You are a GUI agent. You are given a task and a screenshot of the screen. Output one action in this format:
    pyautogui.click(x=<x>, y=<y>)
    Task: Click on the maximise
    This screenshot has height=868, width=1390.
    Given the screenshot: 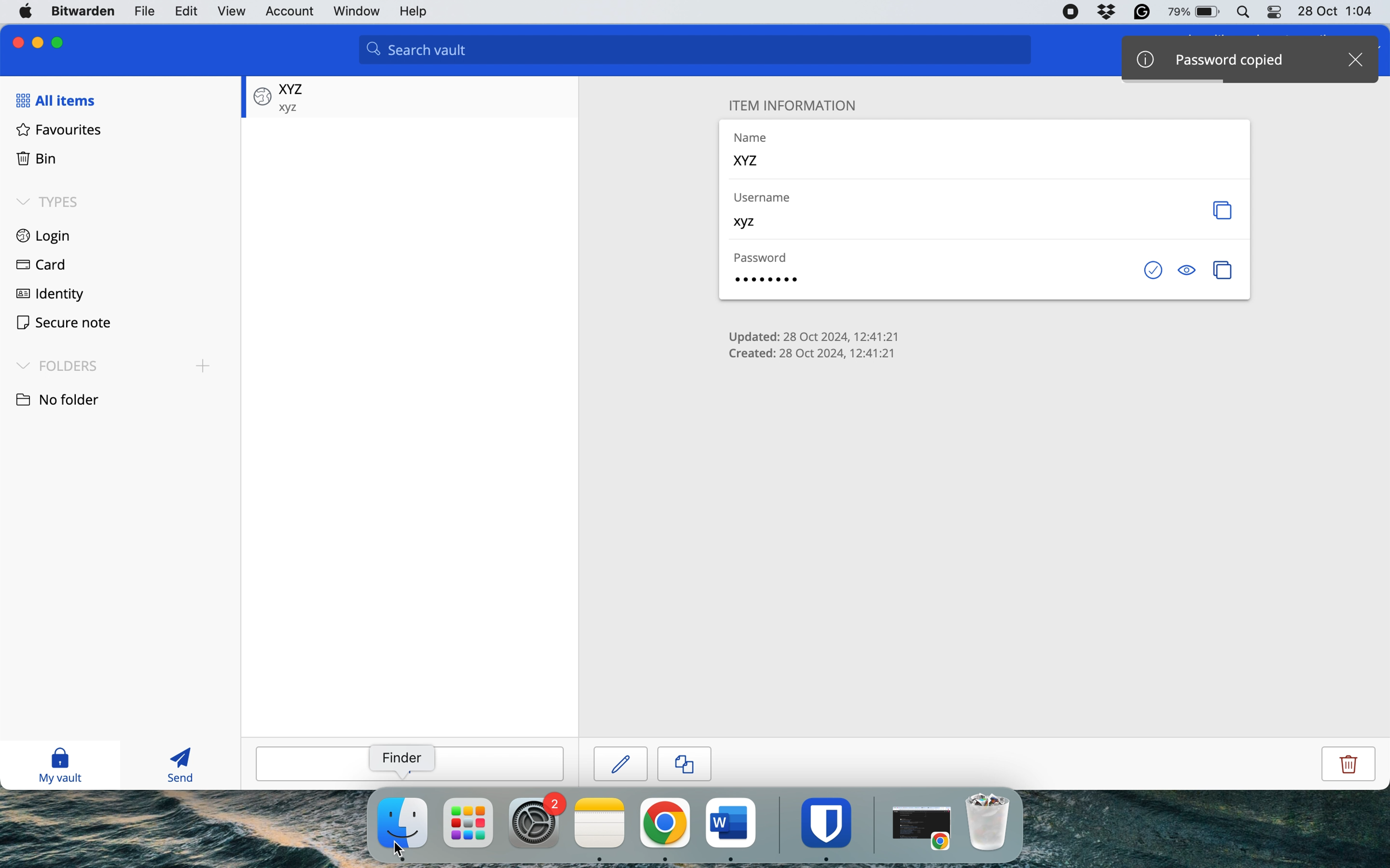 What is the action you would take?
    pyautogui.click(x=61, y=40)
    